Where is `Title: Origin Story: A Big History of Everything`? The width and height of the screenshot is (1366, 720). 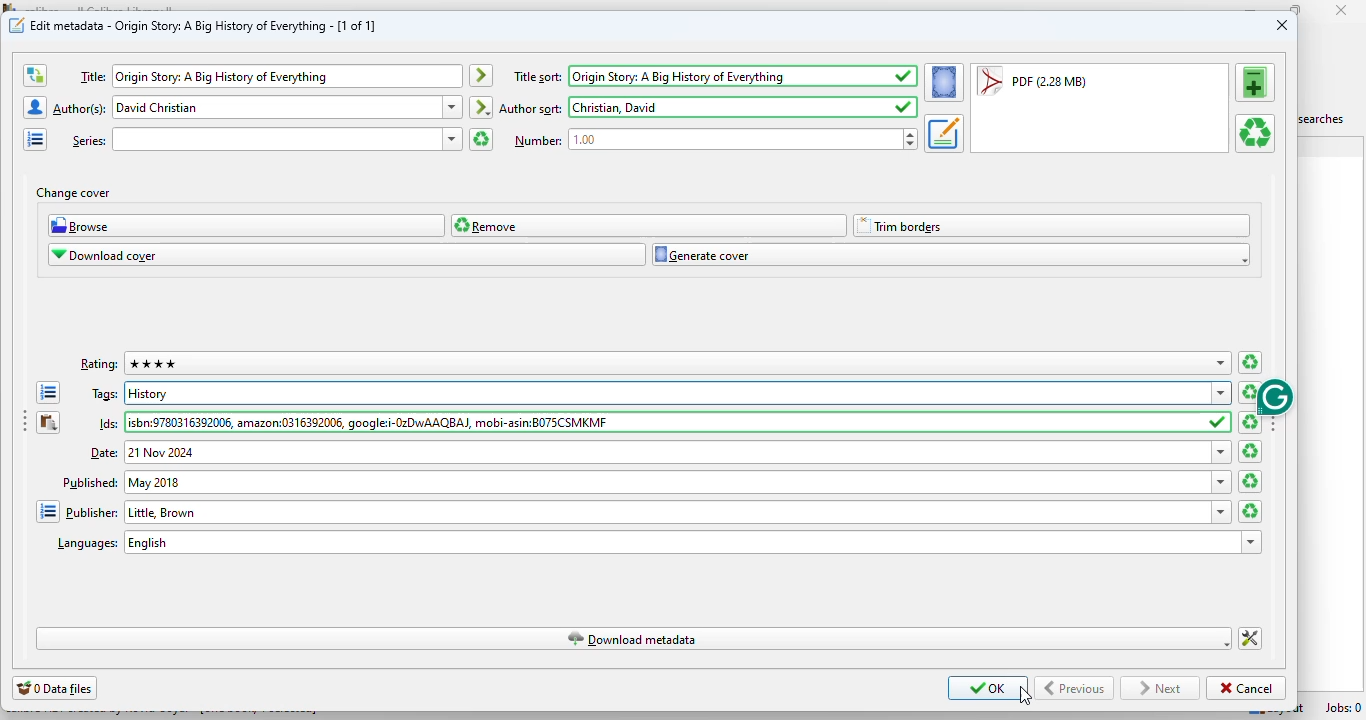
Title: Origin Story: A Big History of Everything is located at coordinates (288, 76).